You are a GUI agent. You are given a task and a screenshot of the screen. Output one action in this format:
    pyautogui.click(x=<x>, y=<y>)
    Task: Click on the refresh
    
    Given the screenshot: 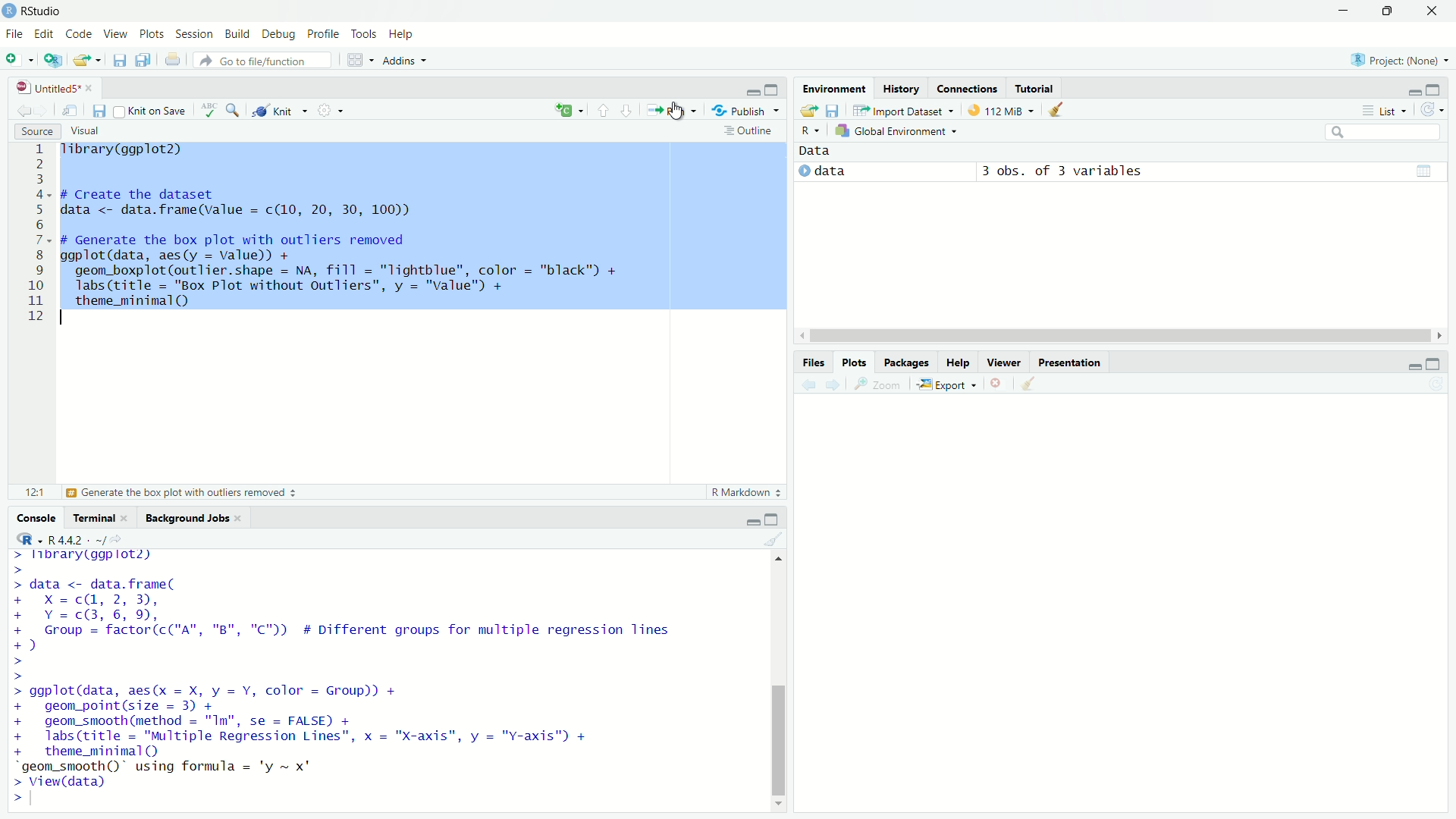 What is the action you would take?
    pyautogui.click(x=1430, y=108)
    